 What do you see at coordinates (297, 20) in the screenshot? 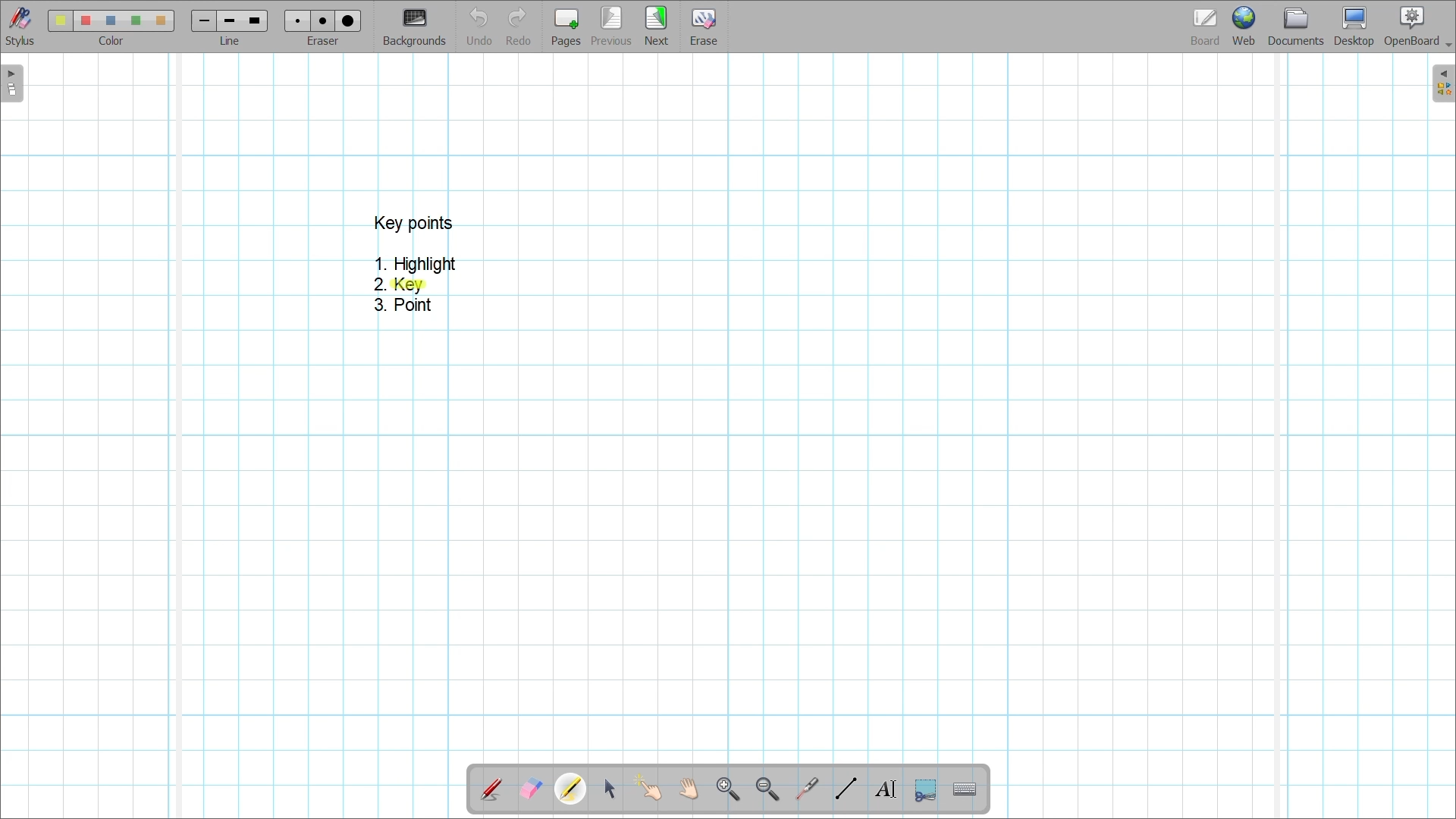
I see `Eraser 1` at bounding box center [297, 20].